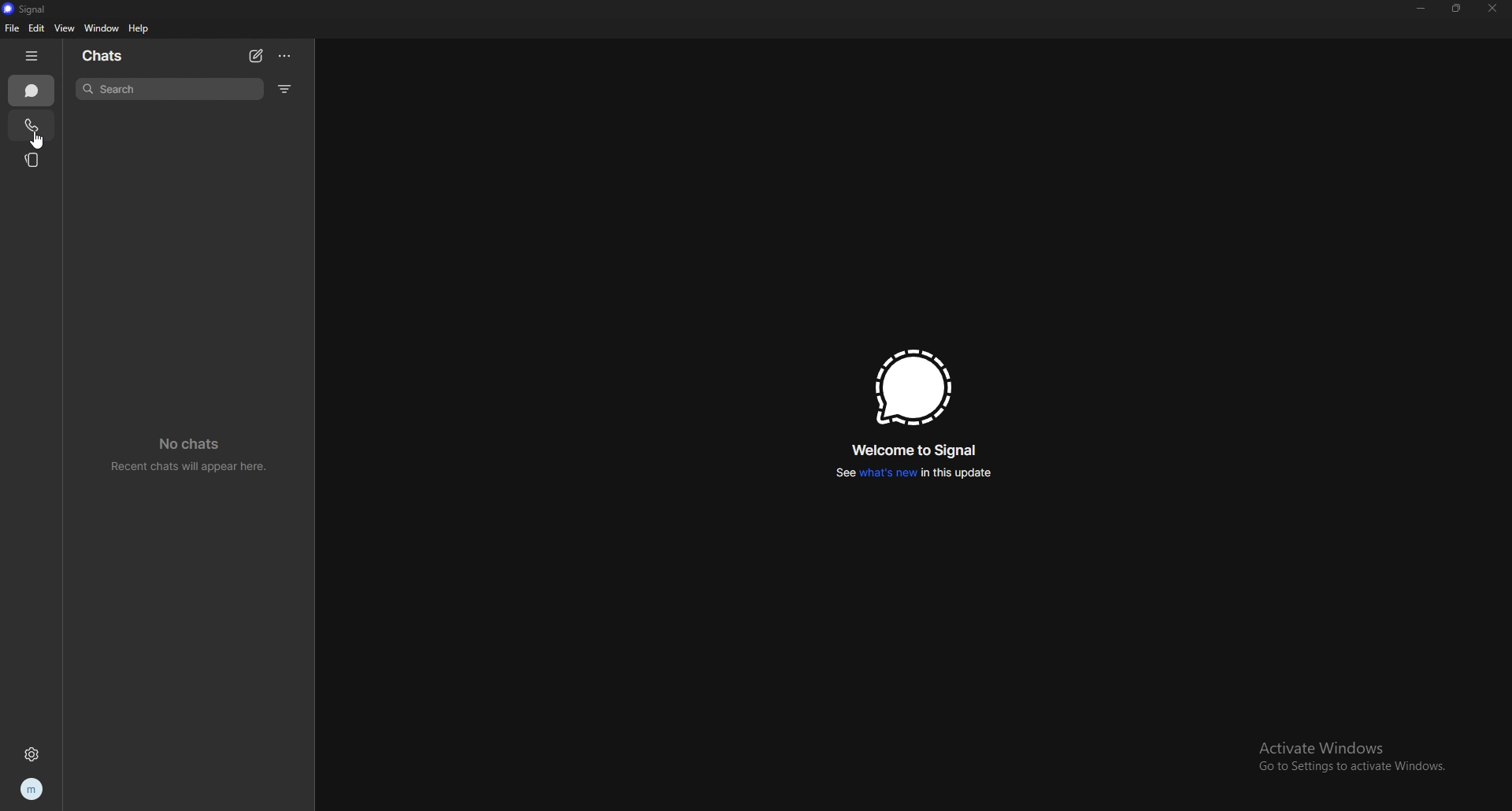 This screenshot has height=811, width=1512. Describe the element at coordinates (1421, 9) in the screenshot. I see `minimize` at that location.